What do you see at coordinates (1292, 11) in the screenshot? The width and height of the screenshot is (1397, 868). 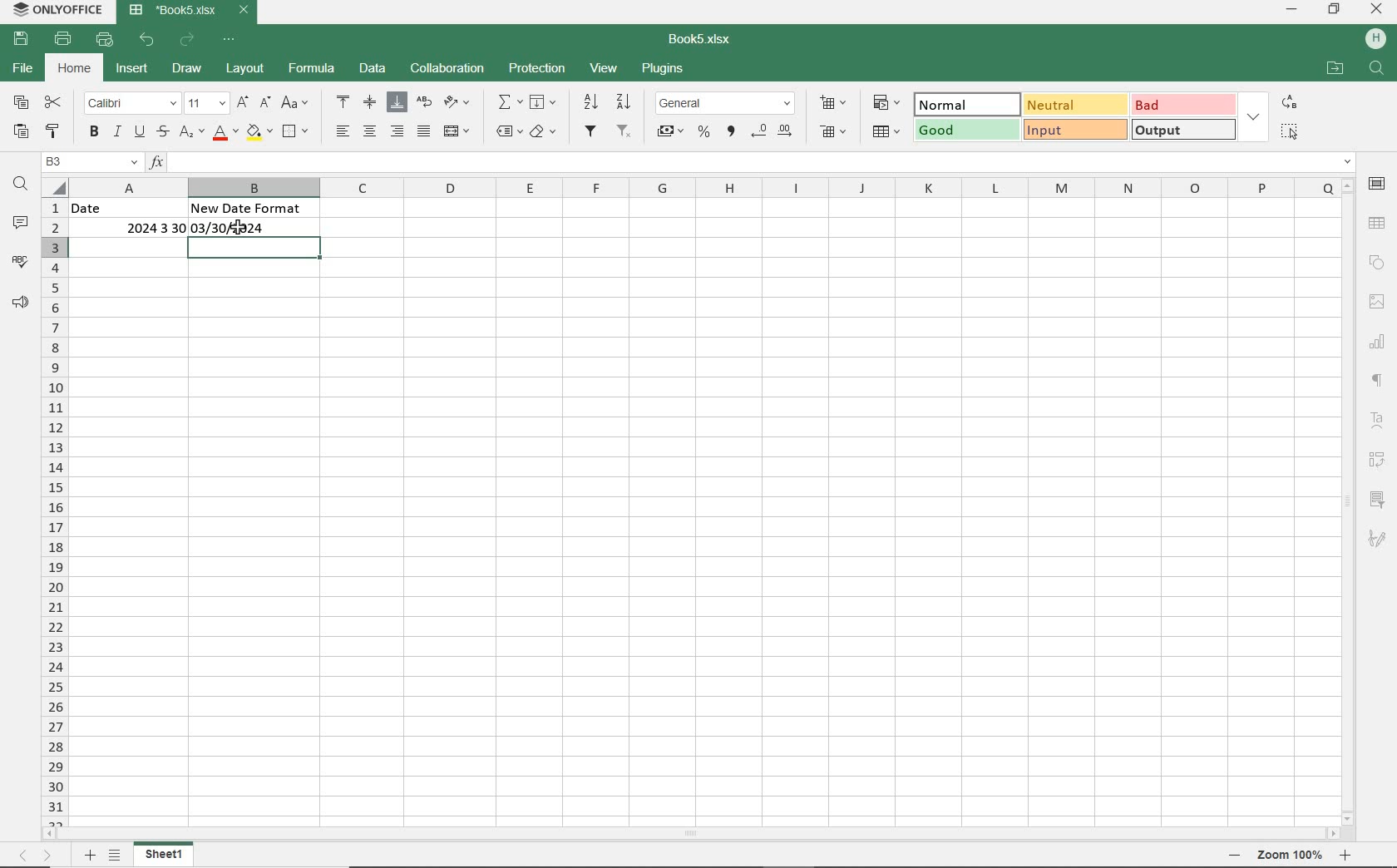 I see `MINIMIZE` at bounding box center [1292, 11].